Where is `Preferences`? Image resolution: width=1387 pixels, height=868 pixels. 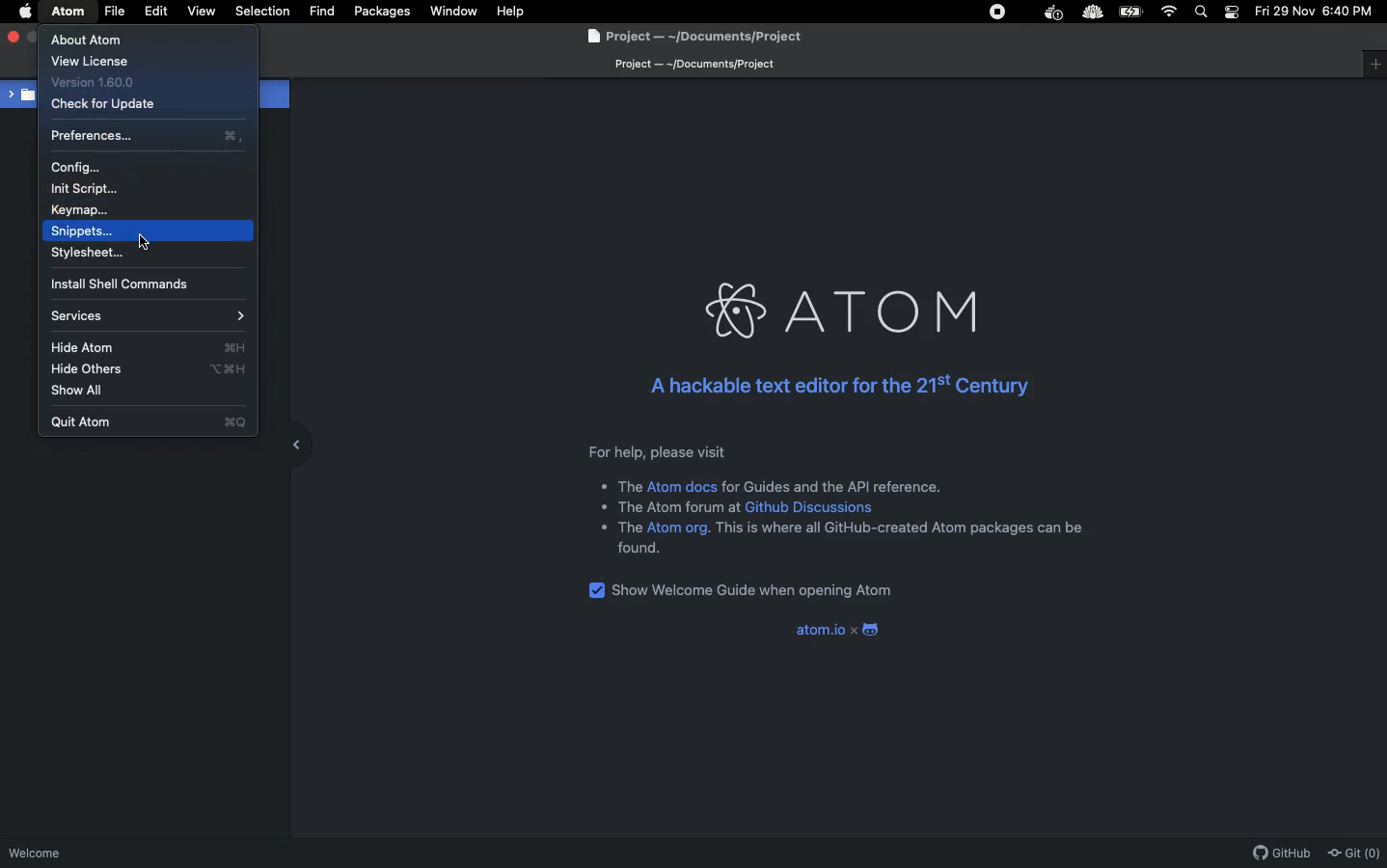
Preferences is located at coordinates (148, 137).